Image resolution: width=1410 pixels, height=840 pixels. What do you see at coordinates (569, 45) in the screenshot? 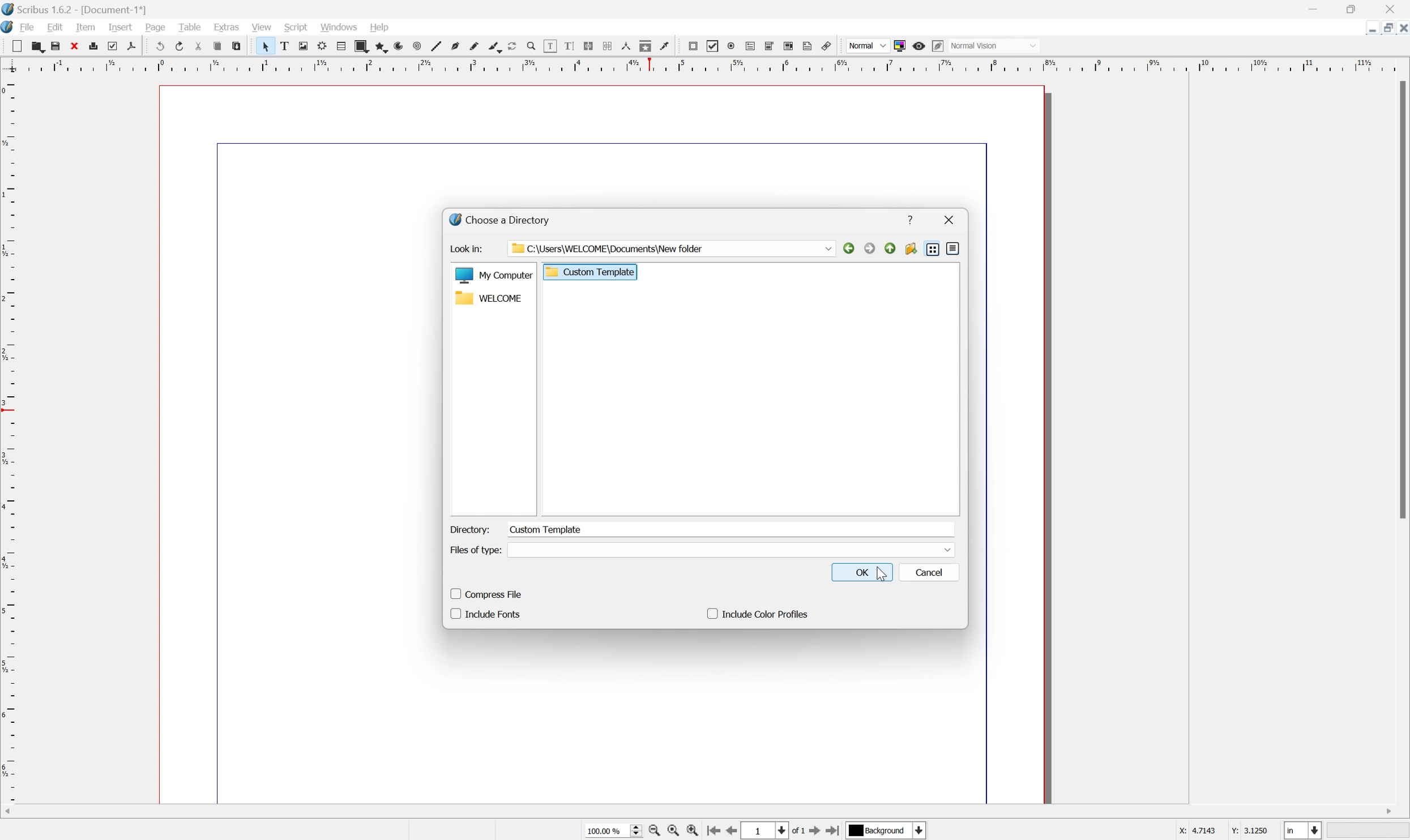
I see `edit text with story editor` at bounding box center [569, 45].